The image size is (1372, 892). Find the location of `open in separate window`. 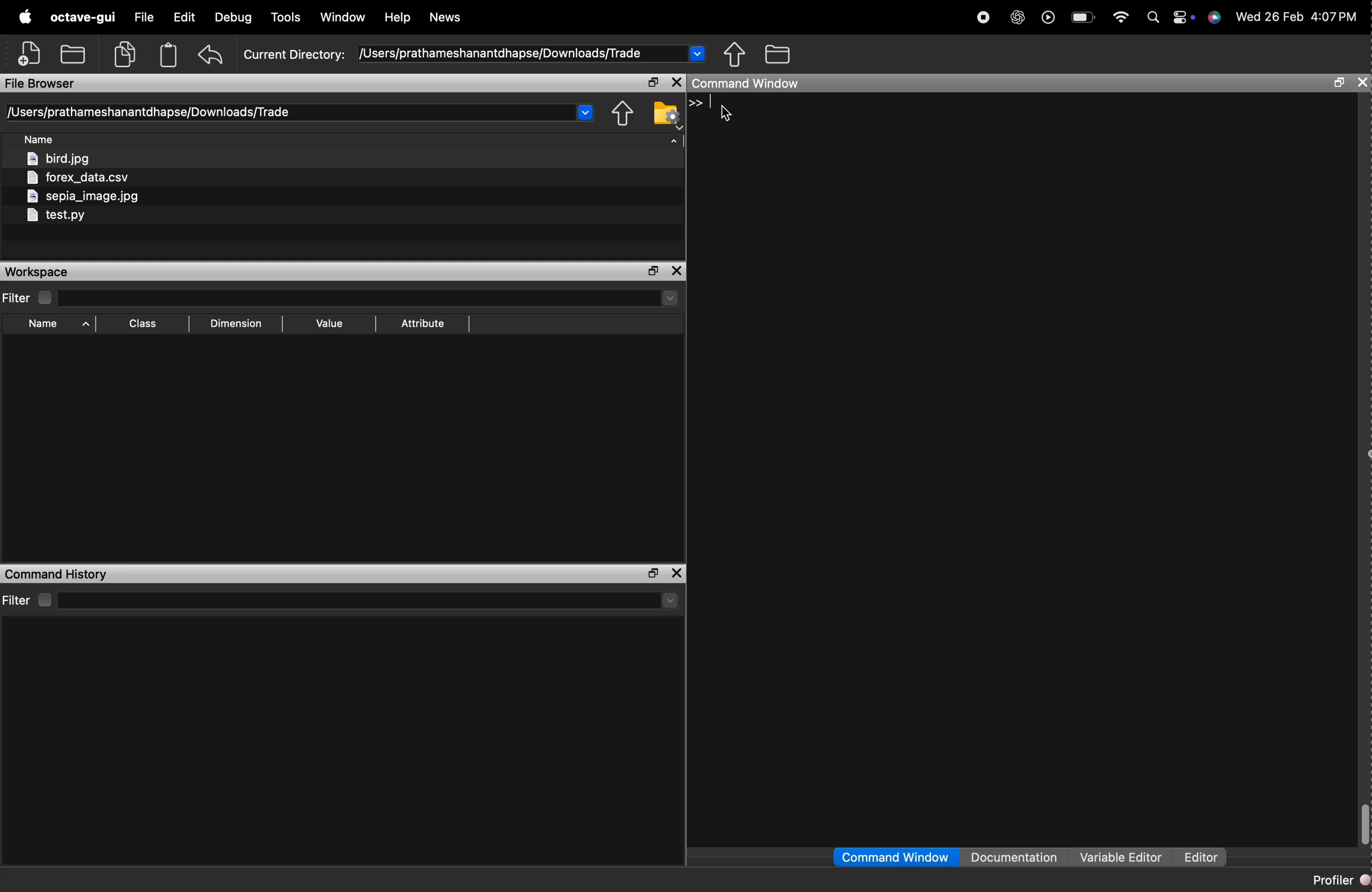

open in separate window is located at coordinates (1340, 83).